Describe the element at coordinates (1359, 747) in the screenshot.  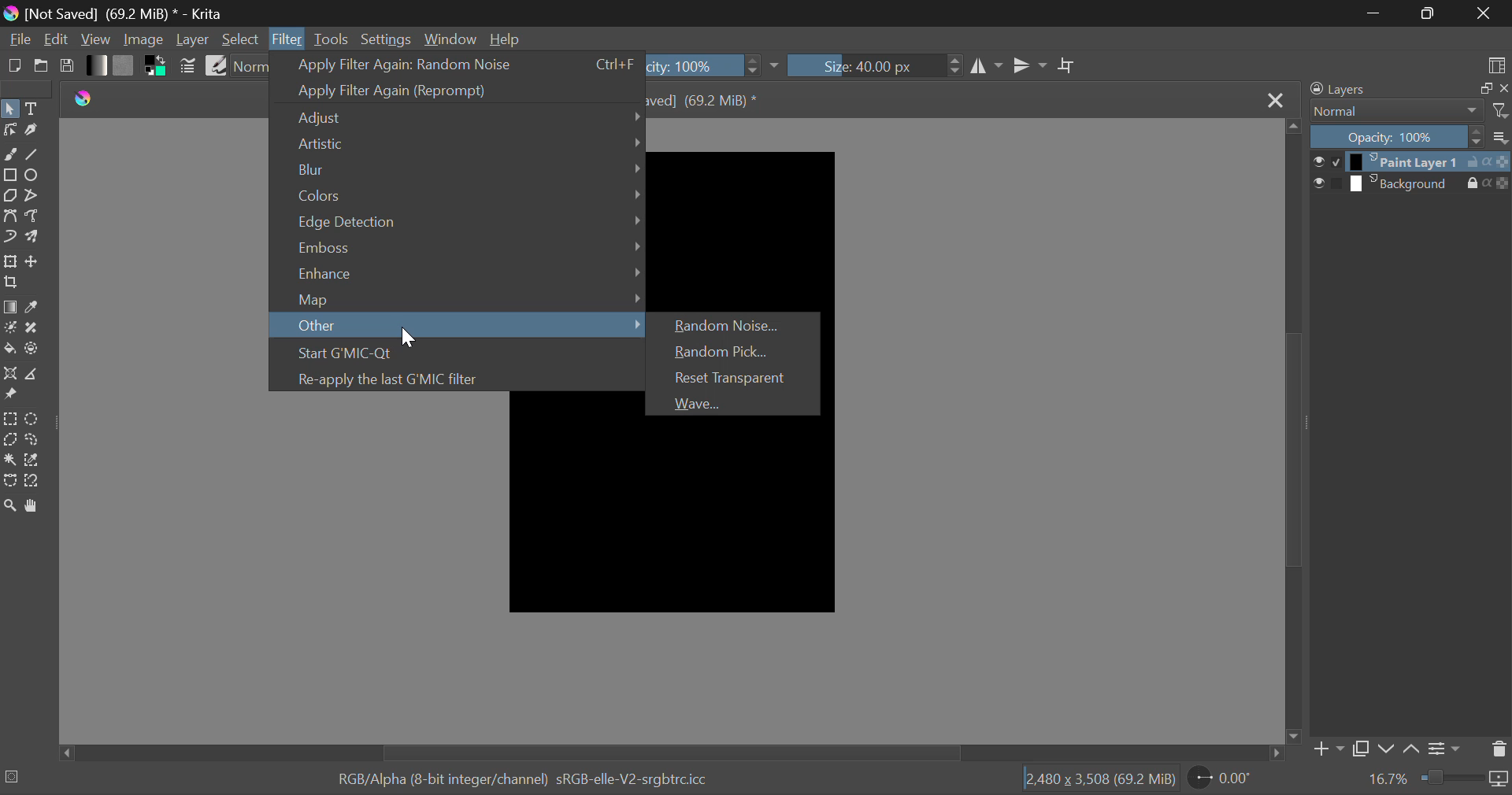
I see `Copy Layer` at that location.